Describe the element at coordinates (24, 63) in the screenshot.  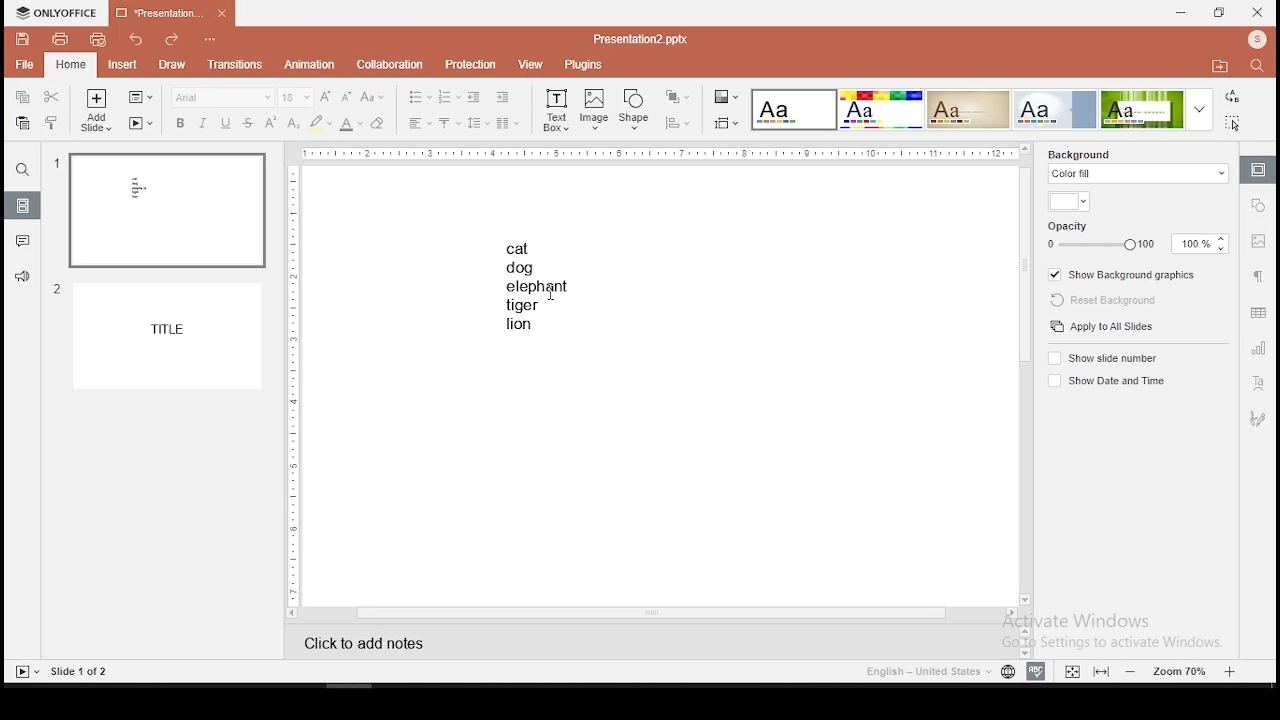
I see `file` at that location.